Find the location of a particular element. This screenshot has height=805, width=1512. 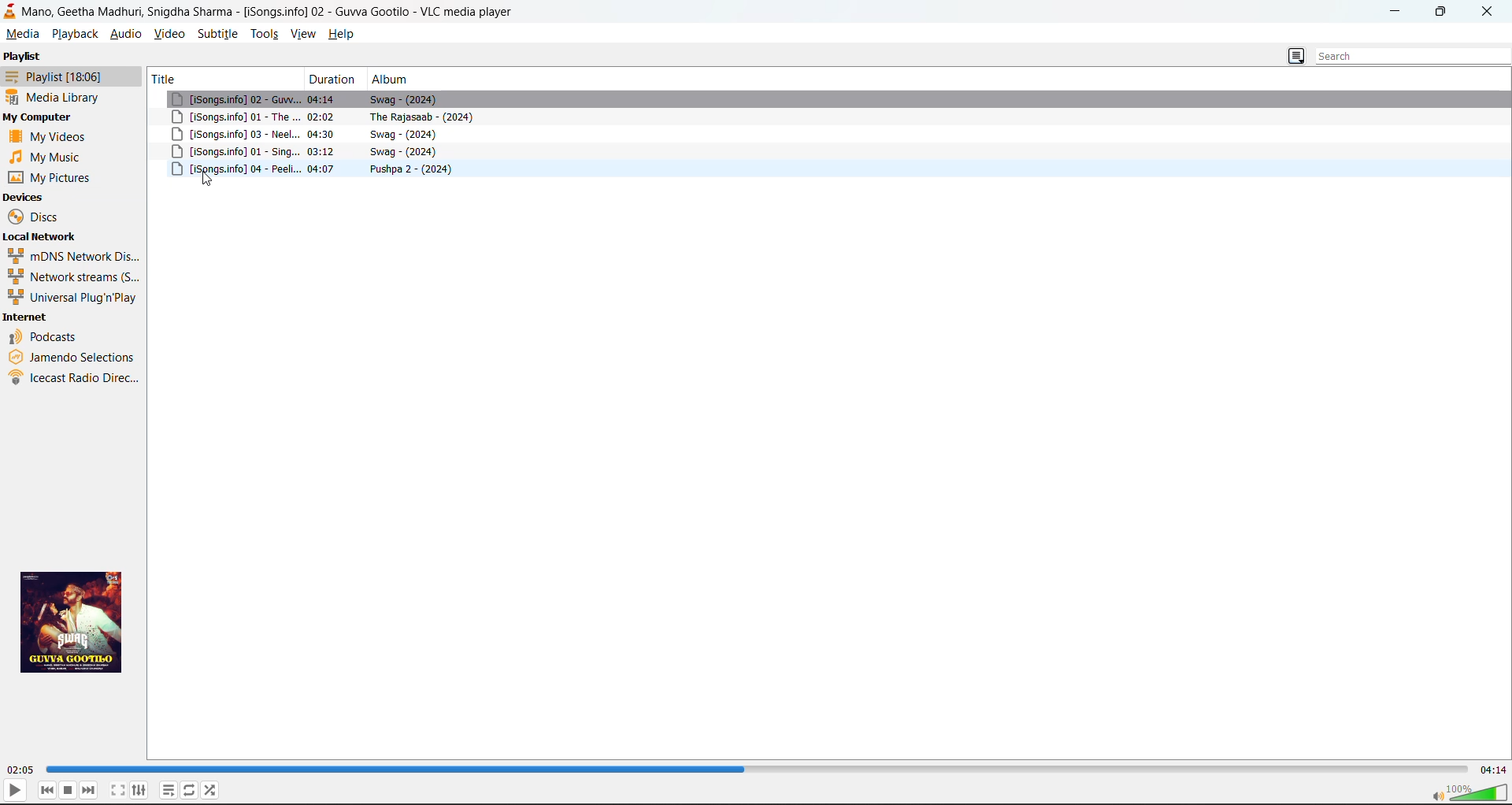

song is located at coordinates (830, 169).